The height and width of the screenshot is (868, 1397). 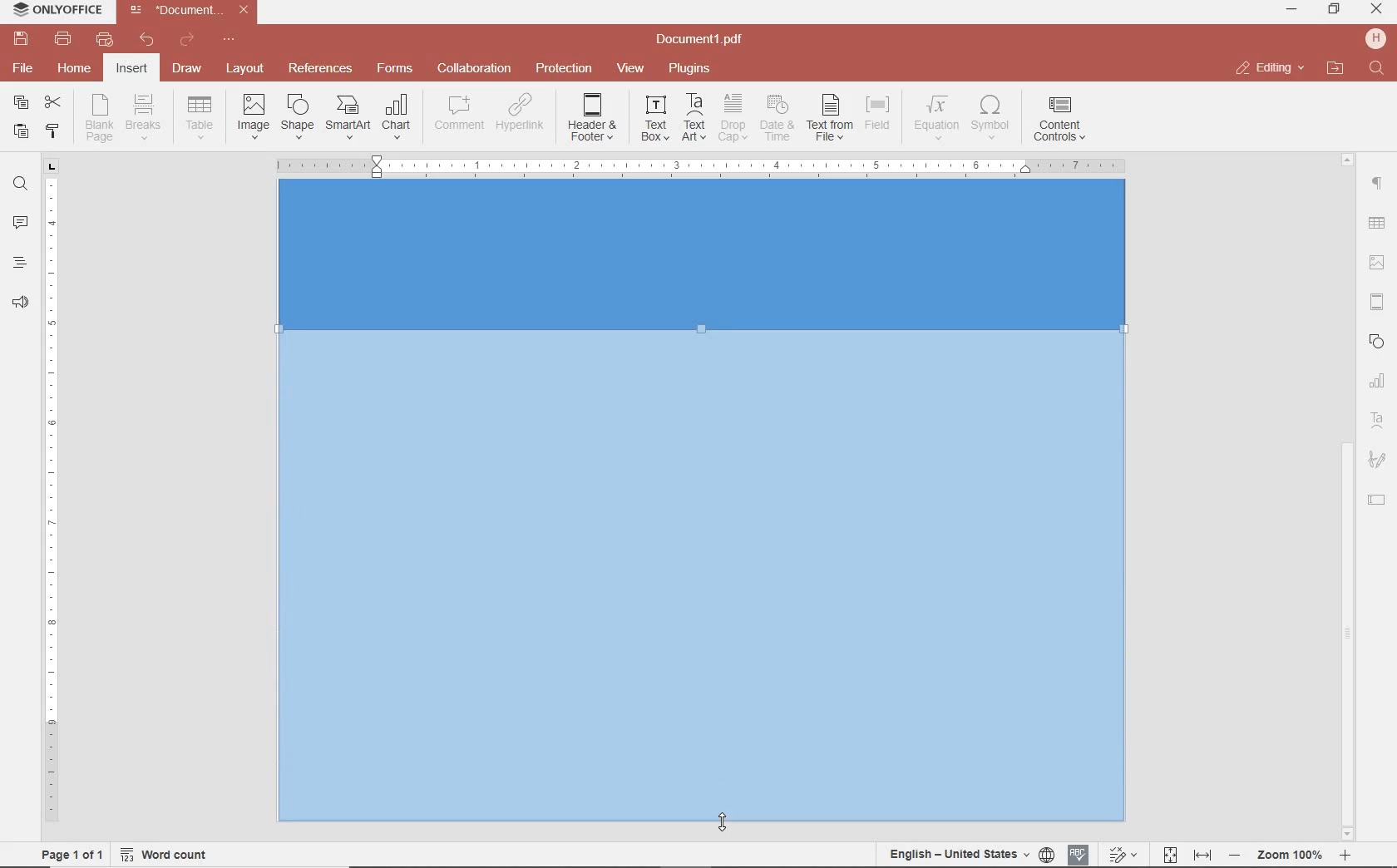 What do you see at coordinates (20, 182) in the screenshot?
I see `find` at bounding box center [20, 182].